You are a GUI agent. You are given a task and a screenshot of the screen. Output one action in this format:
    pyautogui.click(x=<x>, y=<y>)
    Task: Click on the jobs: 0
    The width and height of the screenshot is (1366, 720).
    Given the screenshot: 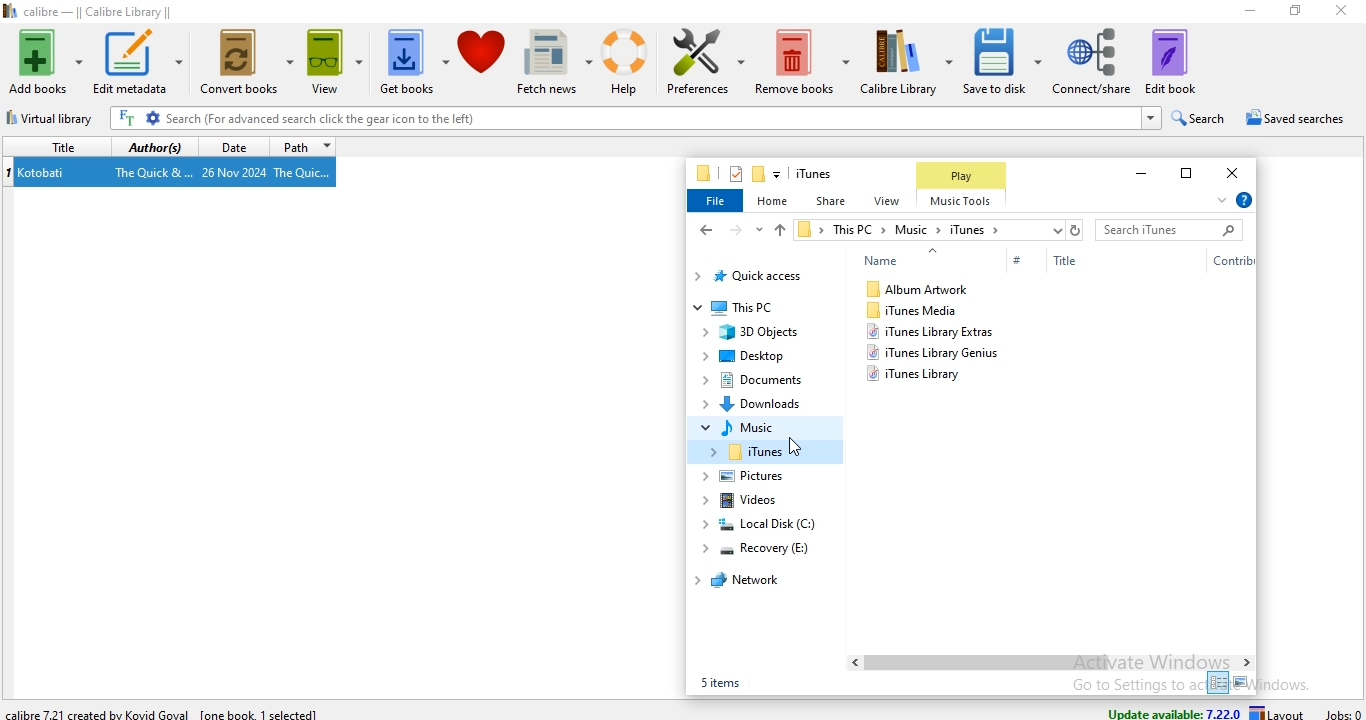 What is the action you would take?
    pyautogui.click(x=1343, y=711)
    